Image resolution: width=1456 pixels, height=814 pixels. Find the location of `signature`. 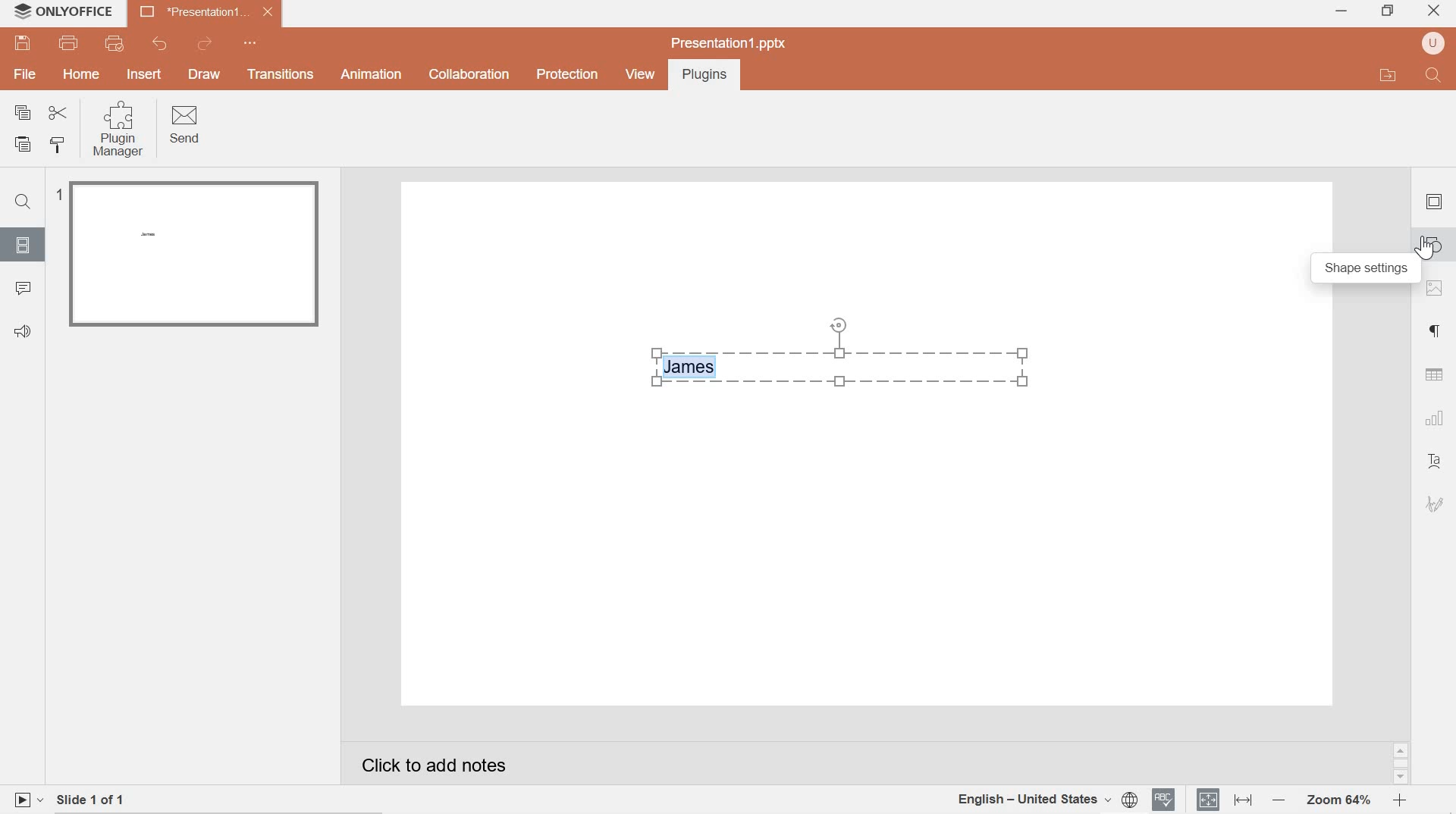

signature is located at coordinates (1436, 504).